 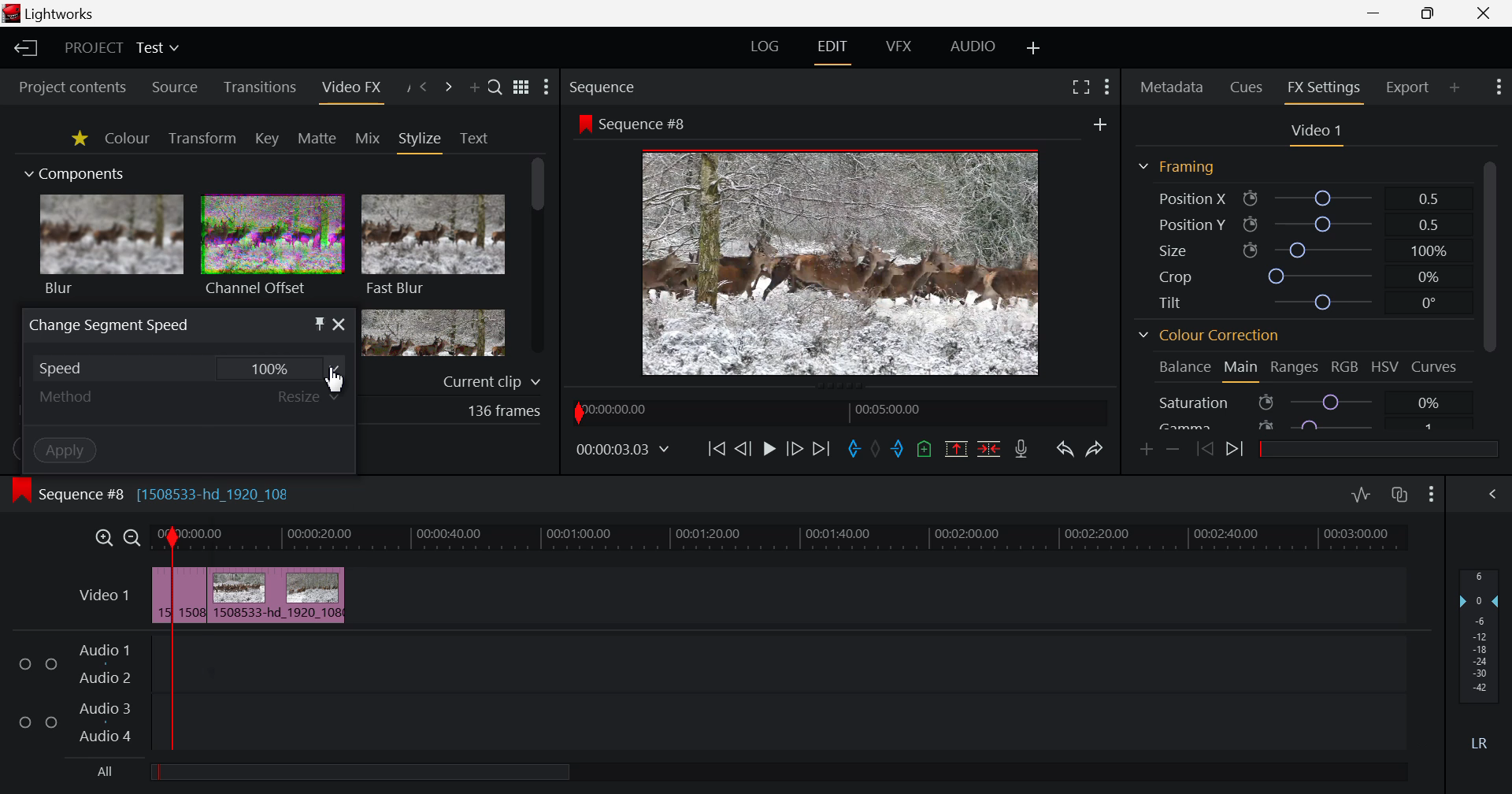 I want to click on 136 frames, so click(x=501, y=412).